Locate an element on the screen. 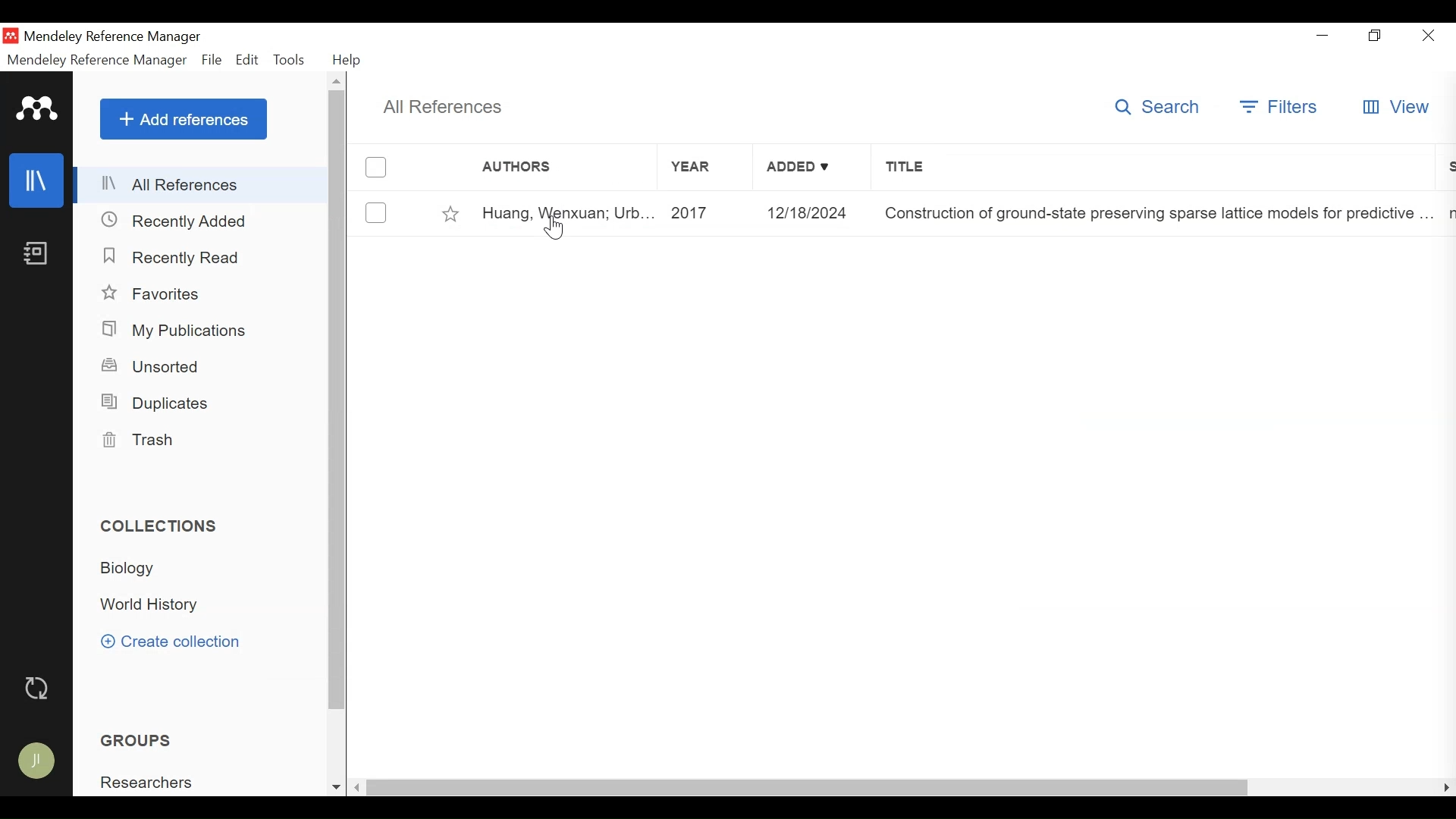 Image resolution: width=1456 pixels, height=819 pixels. (un)Select All is located at coordinates (375, 168).